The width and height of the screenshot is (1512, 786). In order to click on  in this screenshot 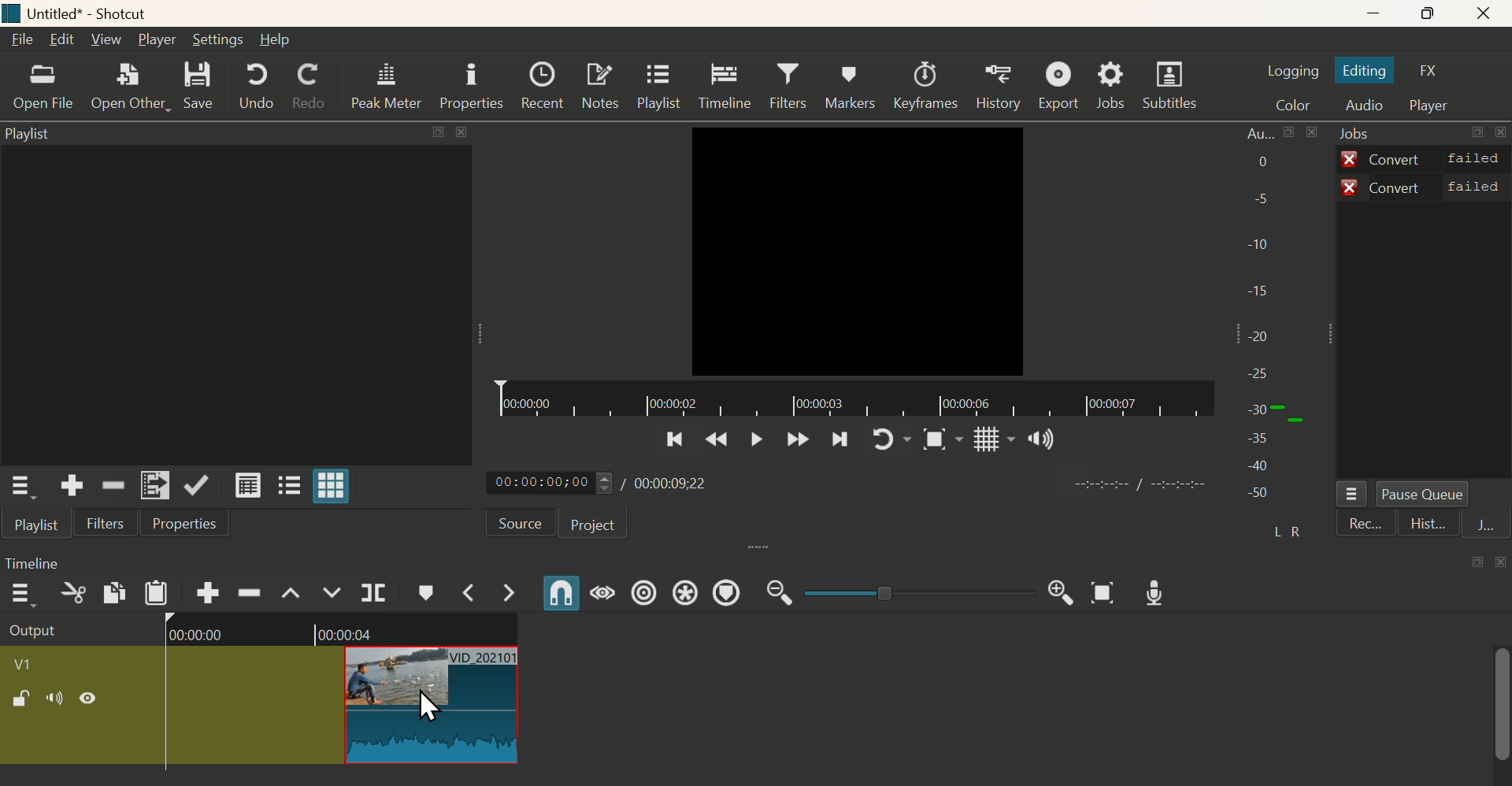, I will do `click(780, 591)`.